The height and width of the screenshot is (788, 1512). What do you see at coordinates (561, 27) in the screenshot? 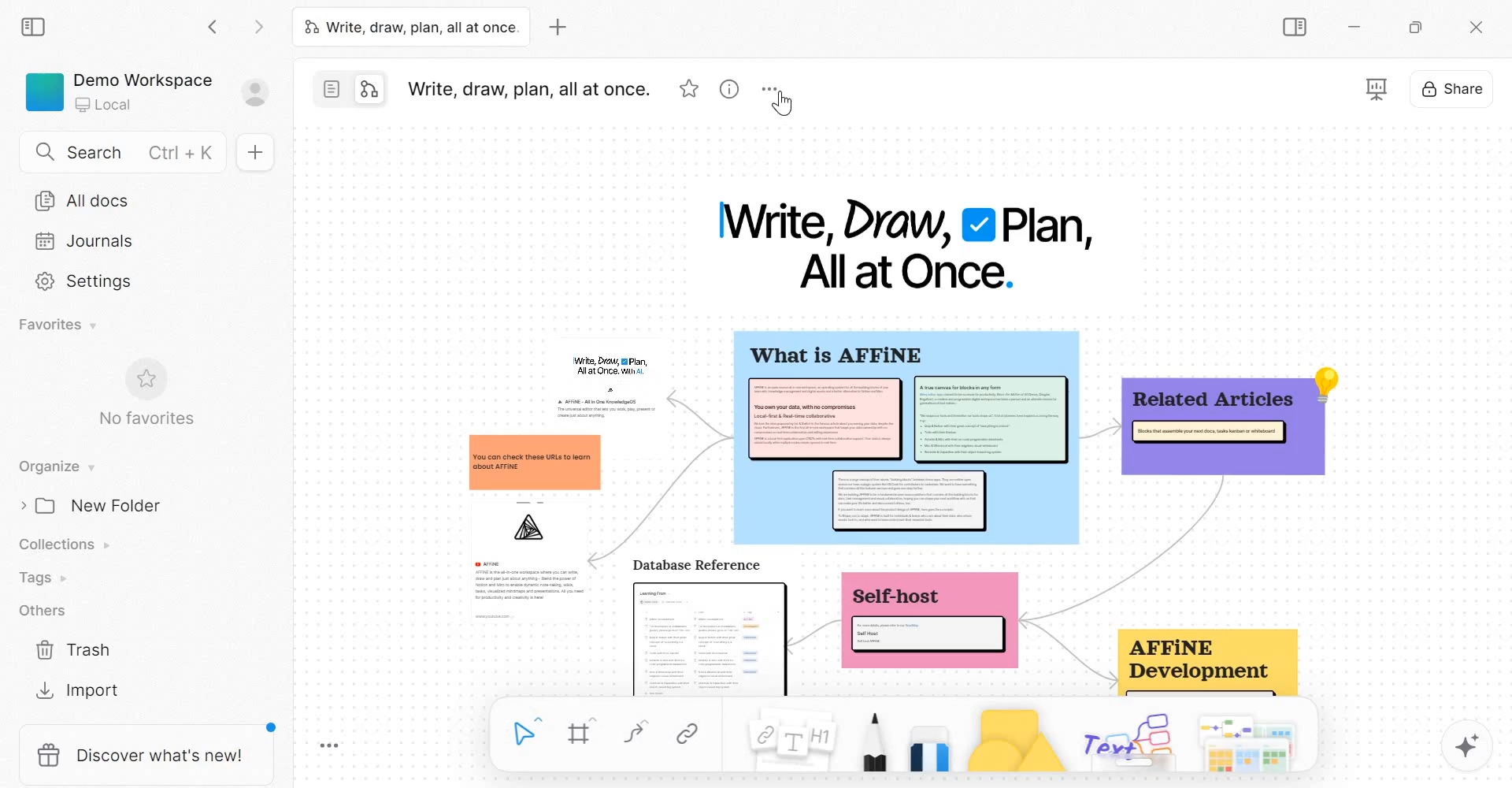
I see `new tab` at bounding box center [561, 27].